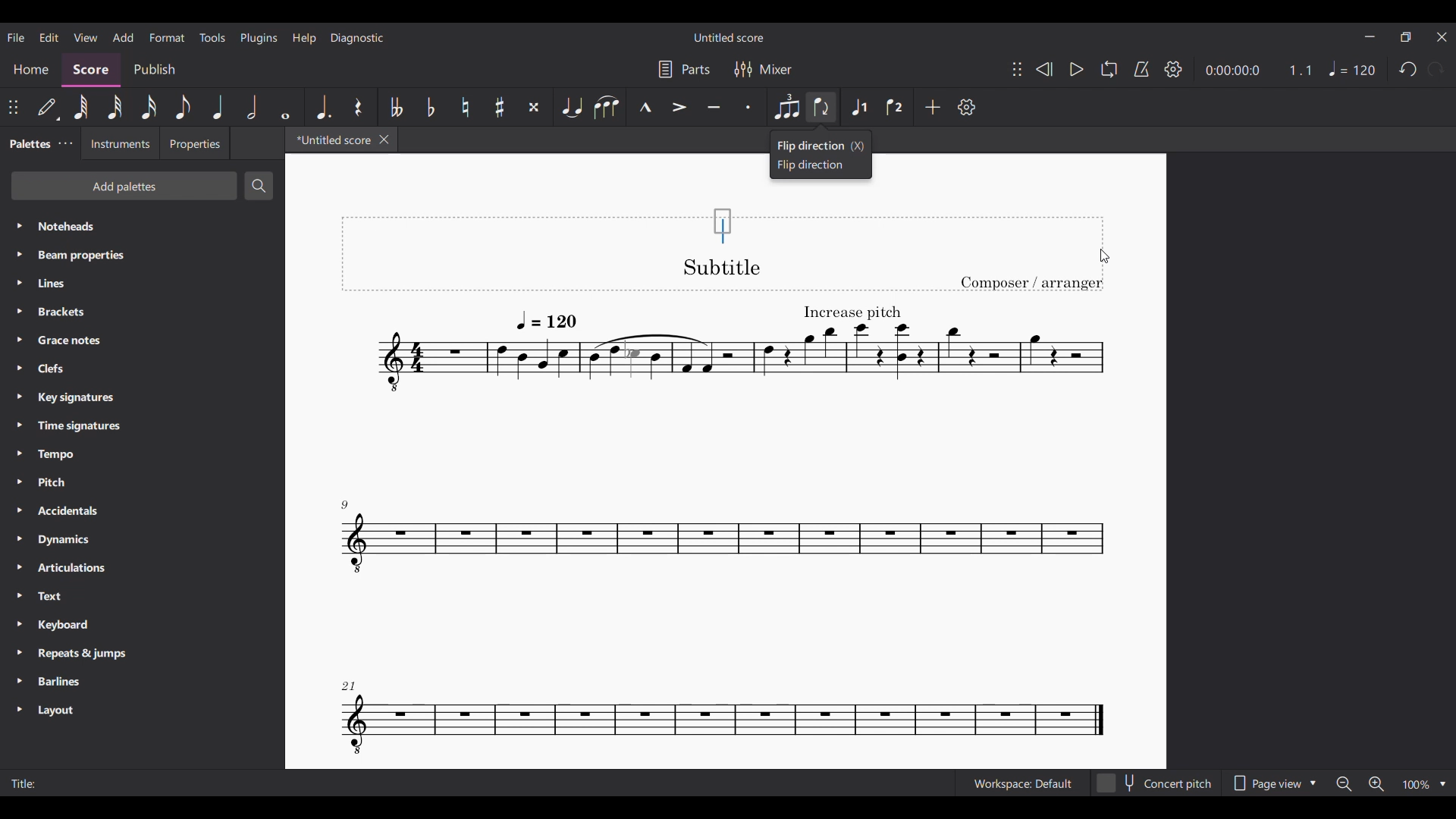  What do you see at coordinates (751, 107) in the screenshot?
I see `Staccato` at bounding box center [751, 107].